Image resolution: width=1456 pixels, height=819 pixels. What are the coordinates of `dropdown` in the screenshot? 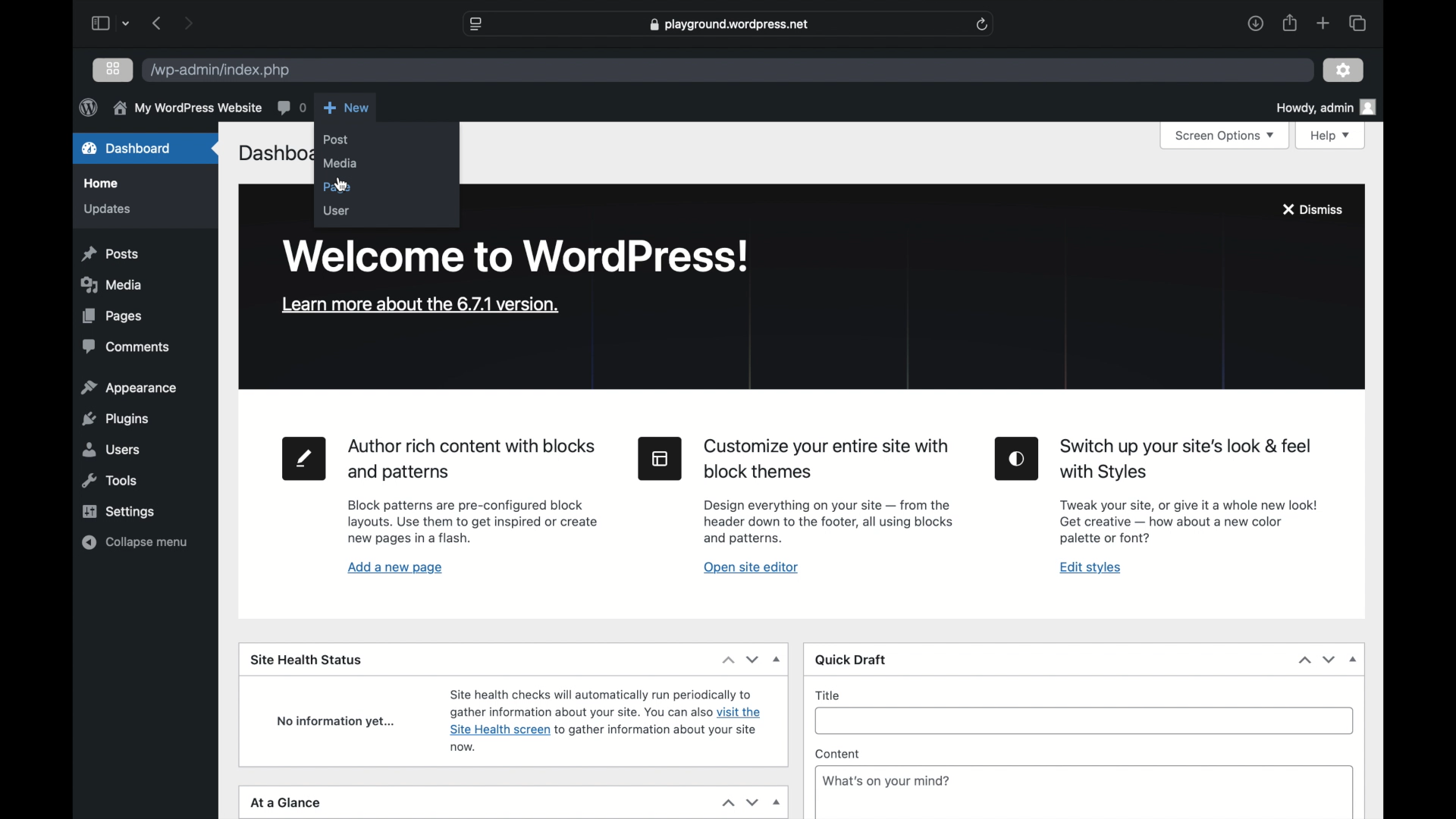 It's located at (777, 803).